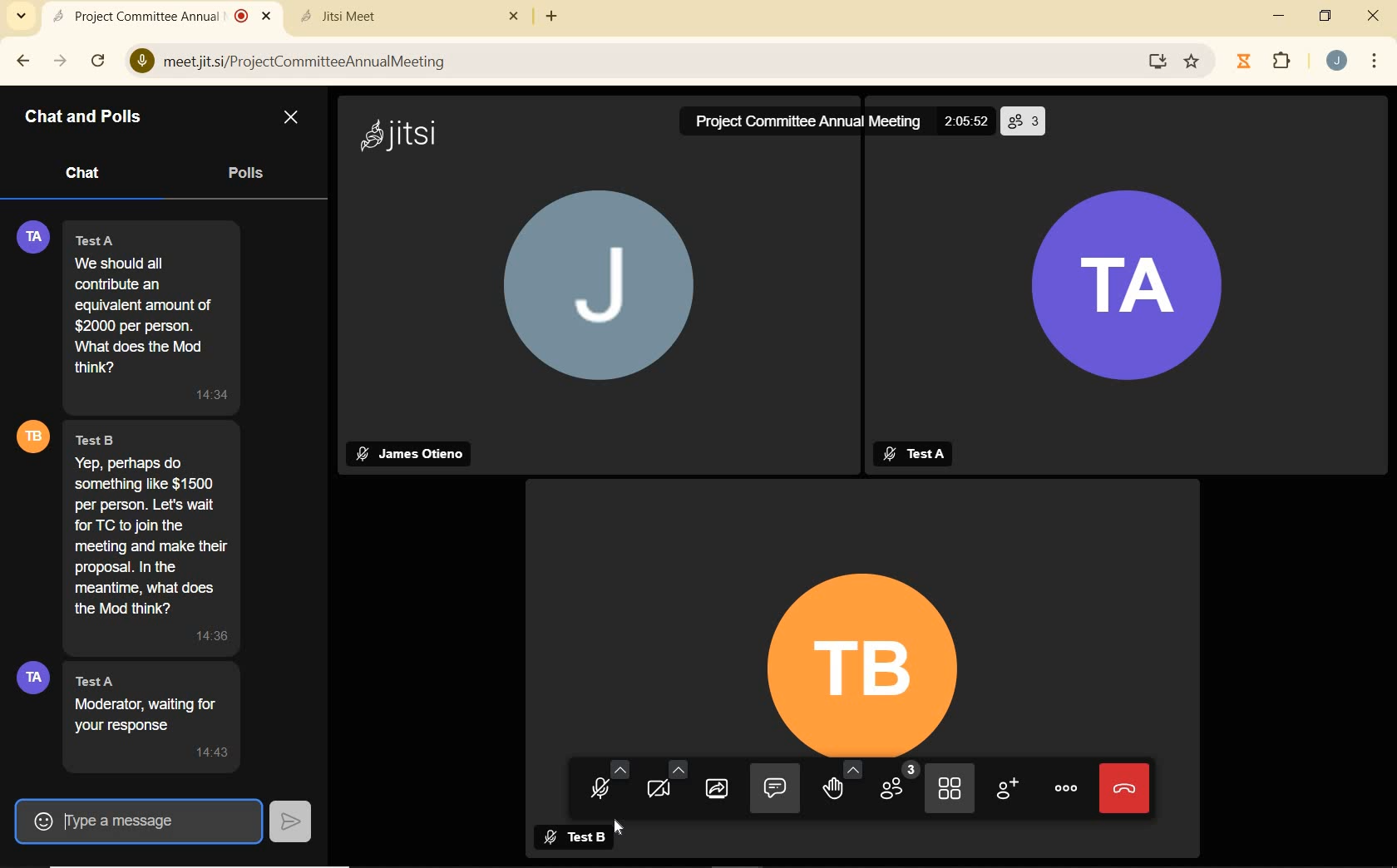 The width and height of the screenshot is (1397, 868). Describe the element at coordinates (88, 175) in the screenshot. I see `chat` at that location.